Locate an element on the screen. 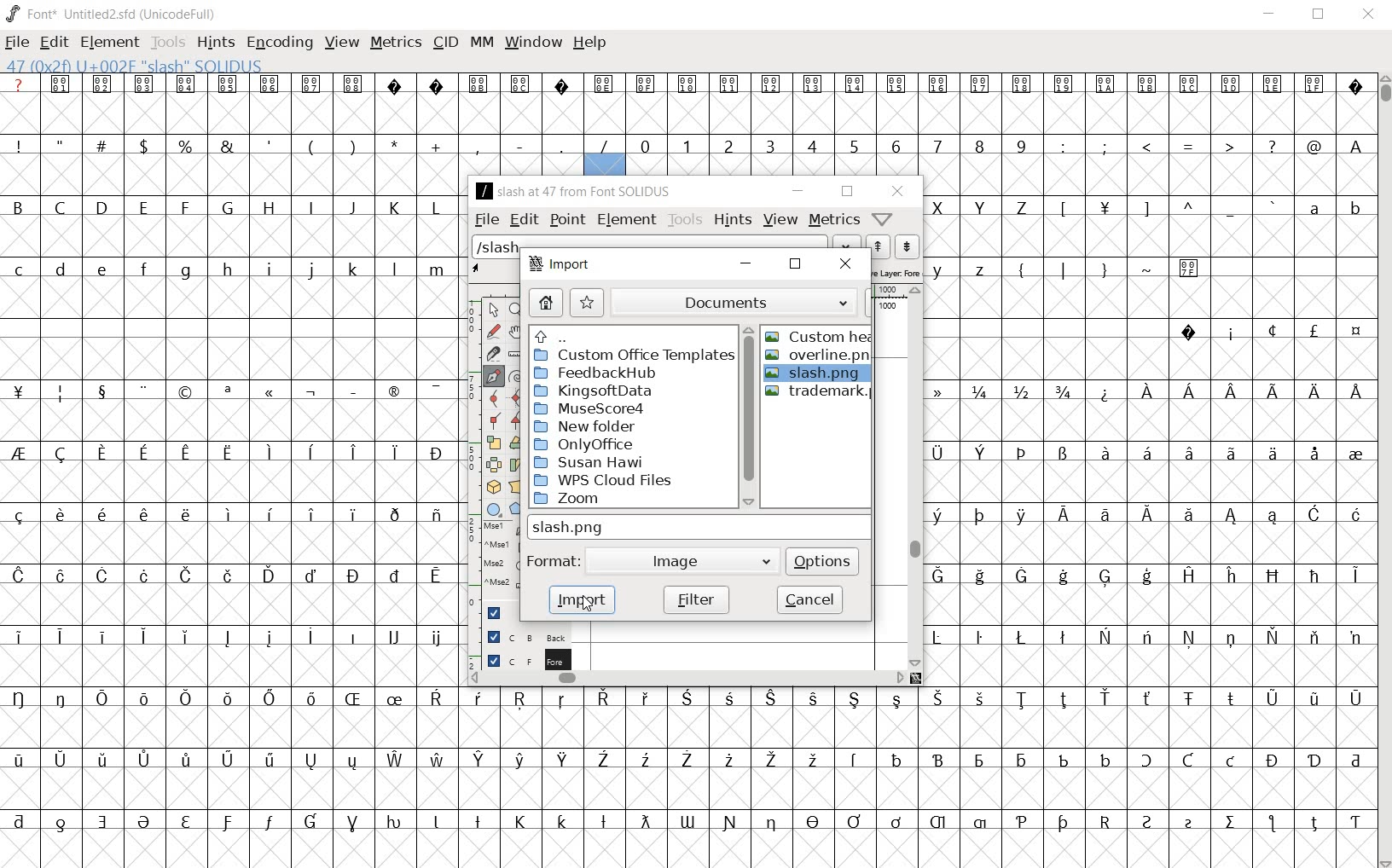 The image size is (1392, 868). empty cells is located at coordinates (235, 543).